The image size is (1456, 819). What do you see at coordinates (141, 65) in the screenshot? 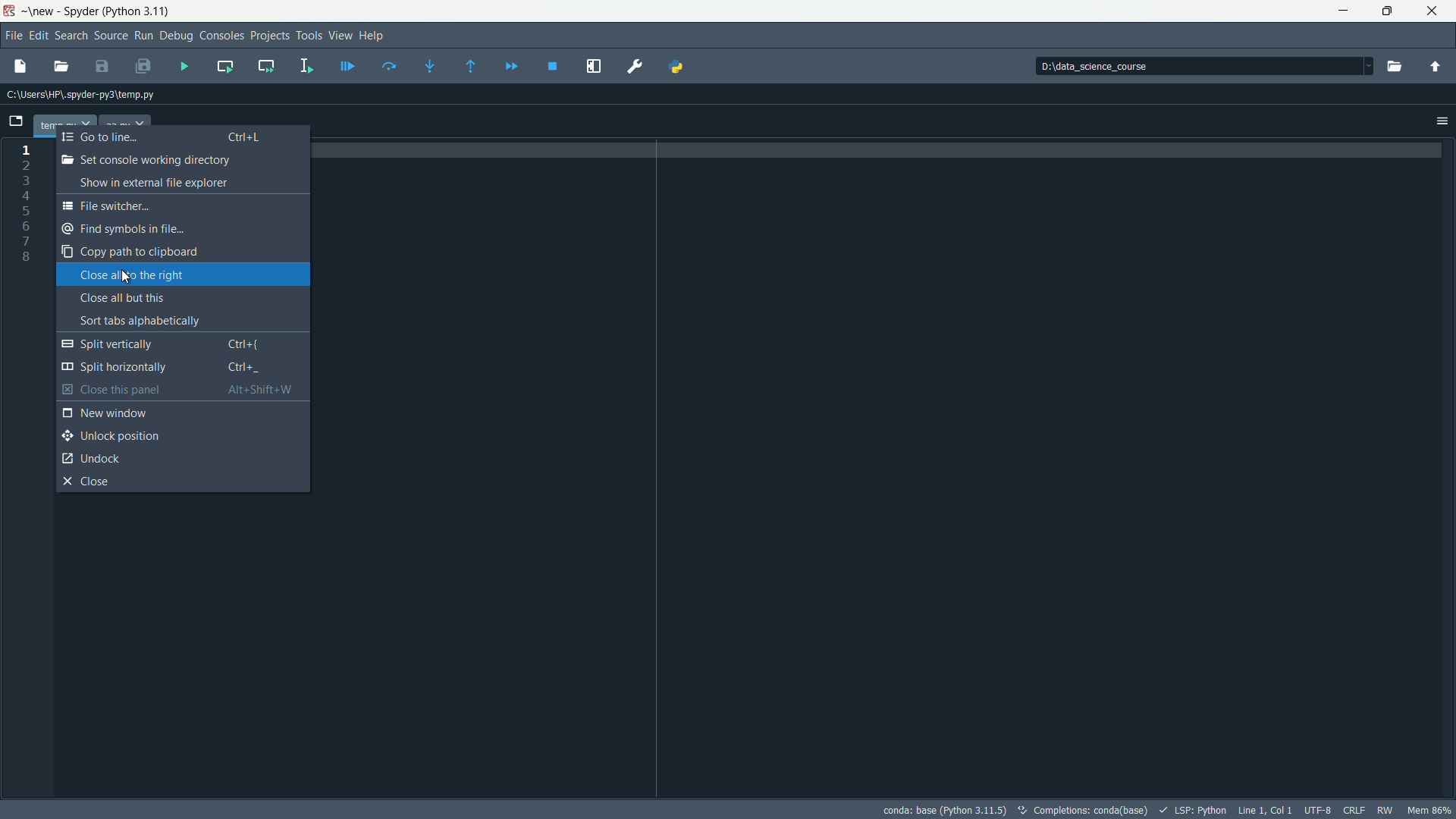
I see `save all files` at bounding box center [141, 65].